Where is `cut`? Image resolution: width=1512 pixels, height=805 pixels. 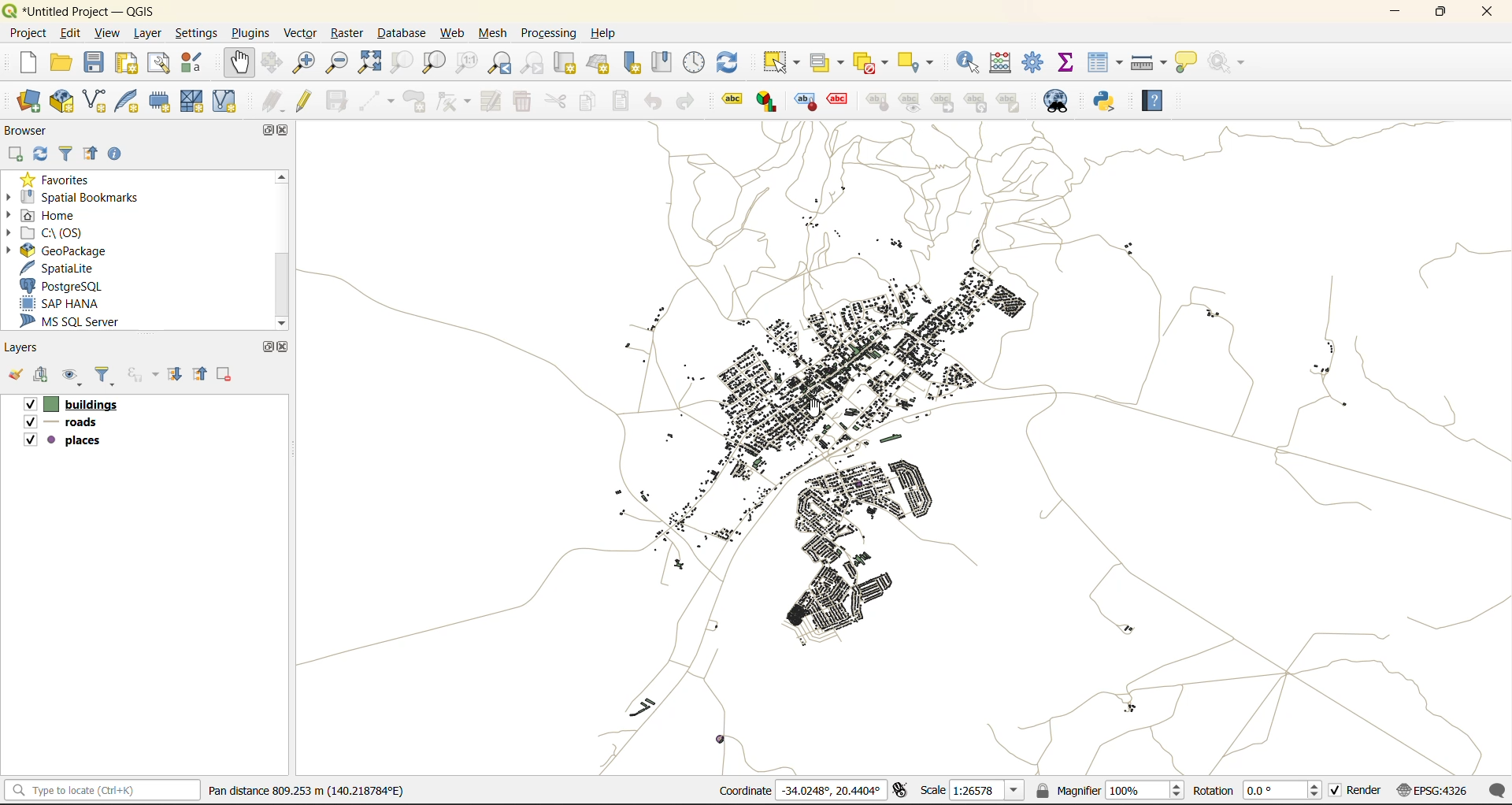
cut is located at coordinates (555, 102).